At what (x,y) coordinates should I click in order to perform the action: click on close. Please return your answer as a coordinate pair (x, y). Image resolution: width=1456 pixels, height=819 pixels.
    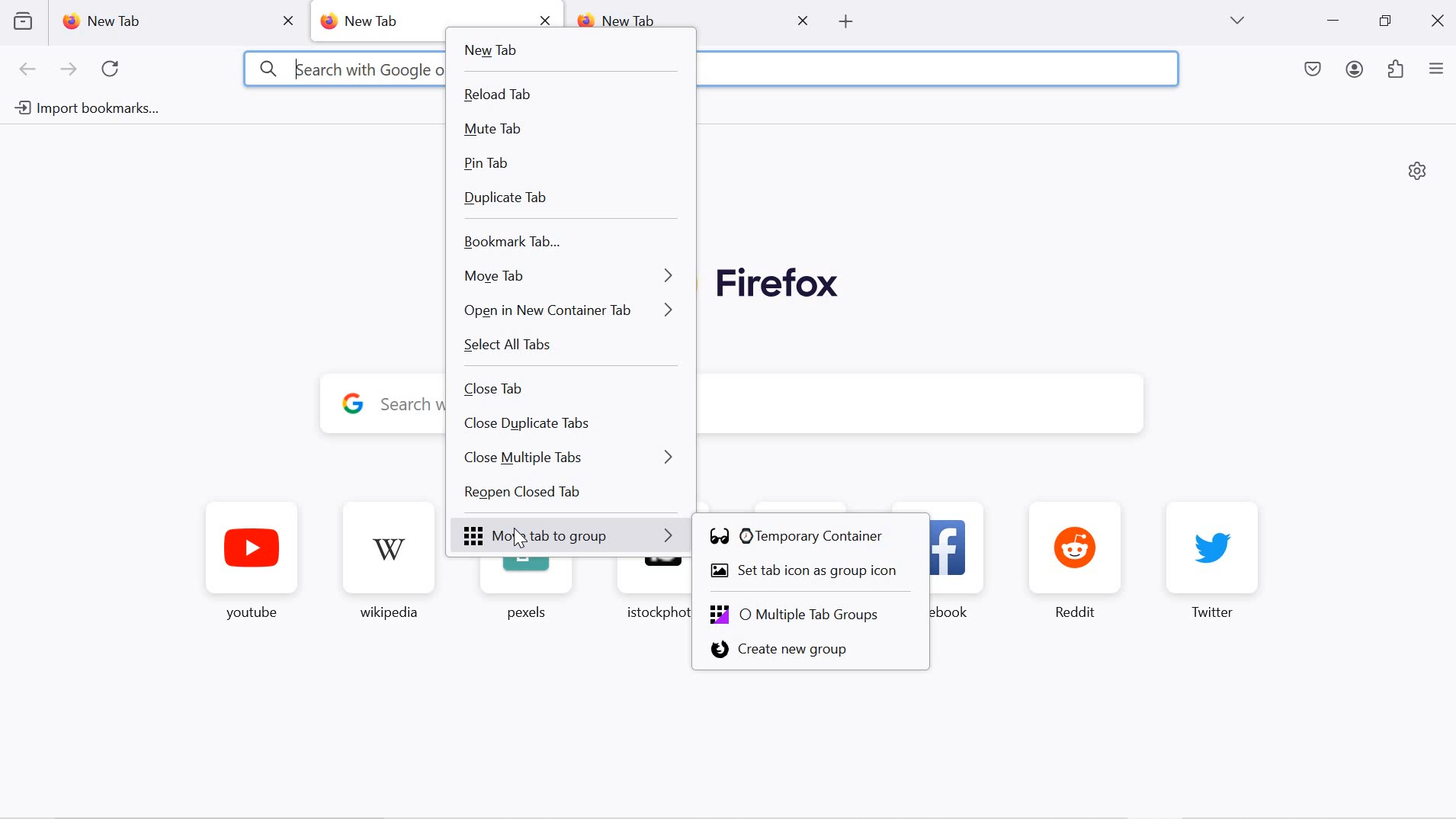
    Looking at the image, I should click on (542, 18).